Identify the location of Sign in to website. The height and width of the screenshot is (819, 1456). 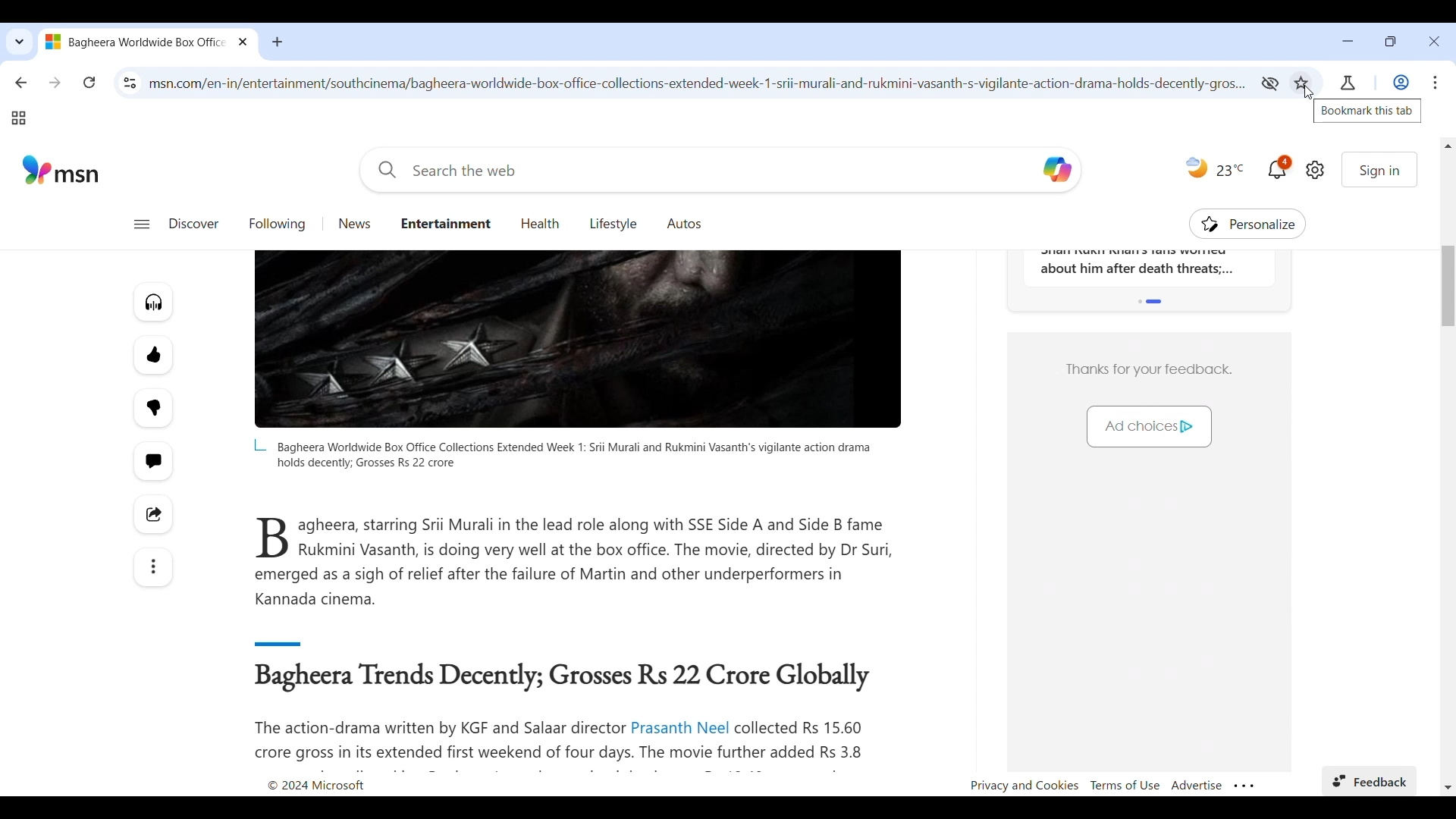
(1379, 169).